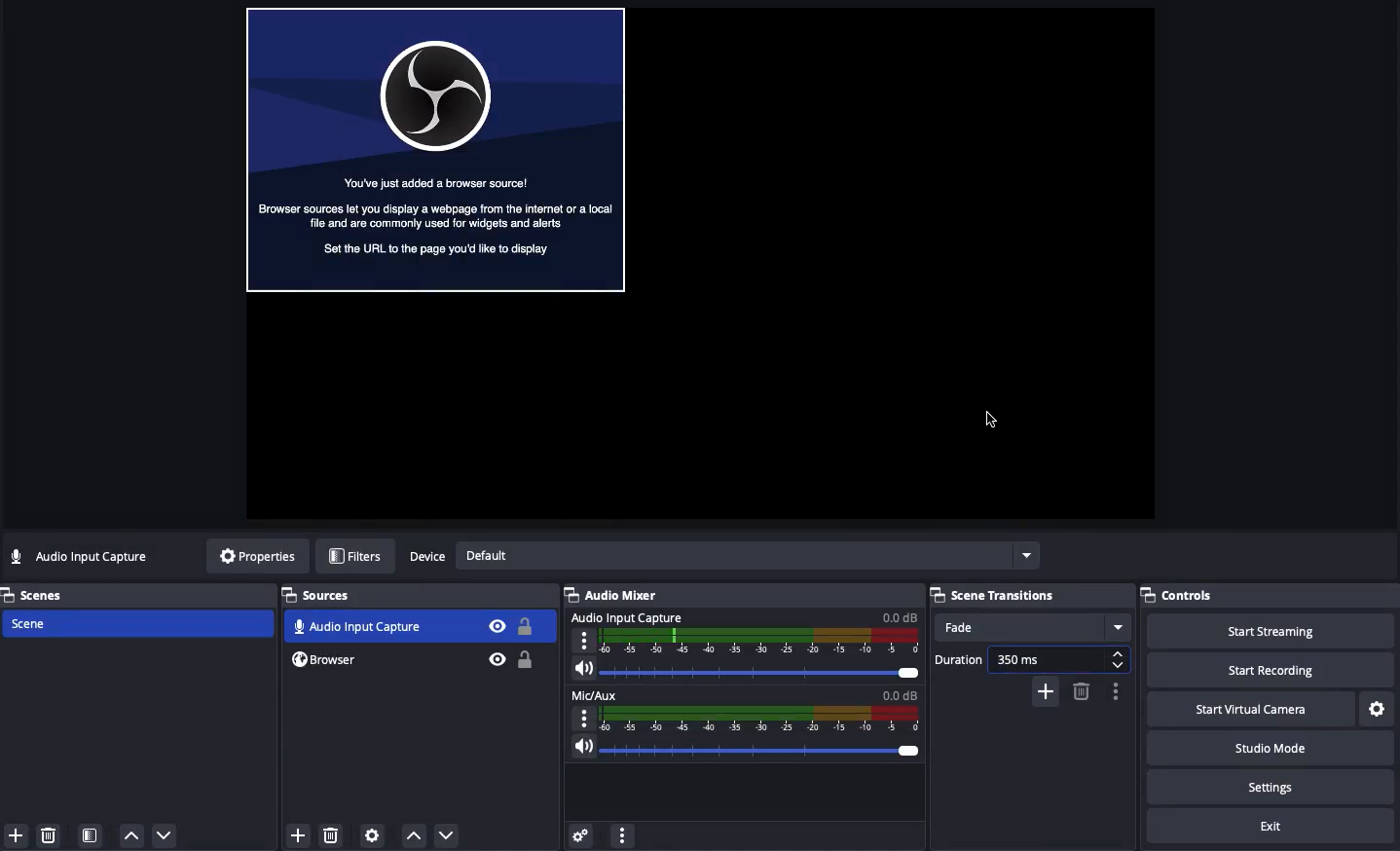 The height and width of the screenshot is (851, 1400). Describe the element at coordinates (1185, 595) in the screenshot. I see `Controls` at that location.